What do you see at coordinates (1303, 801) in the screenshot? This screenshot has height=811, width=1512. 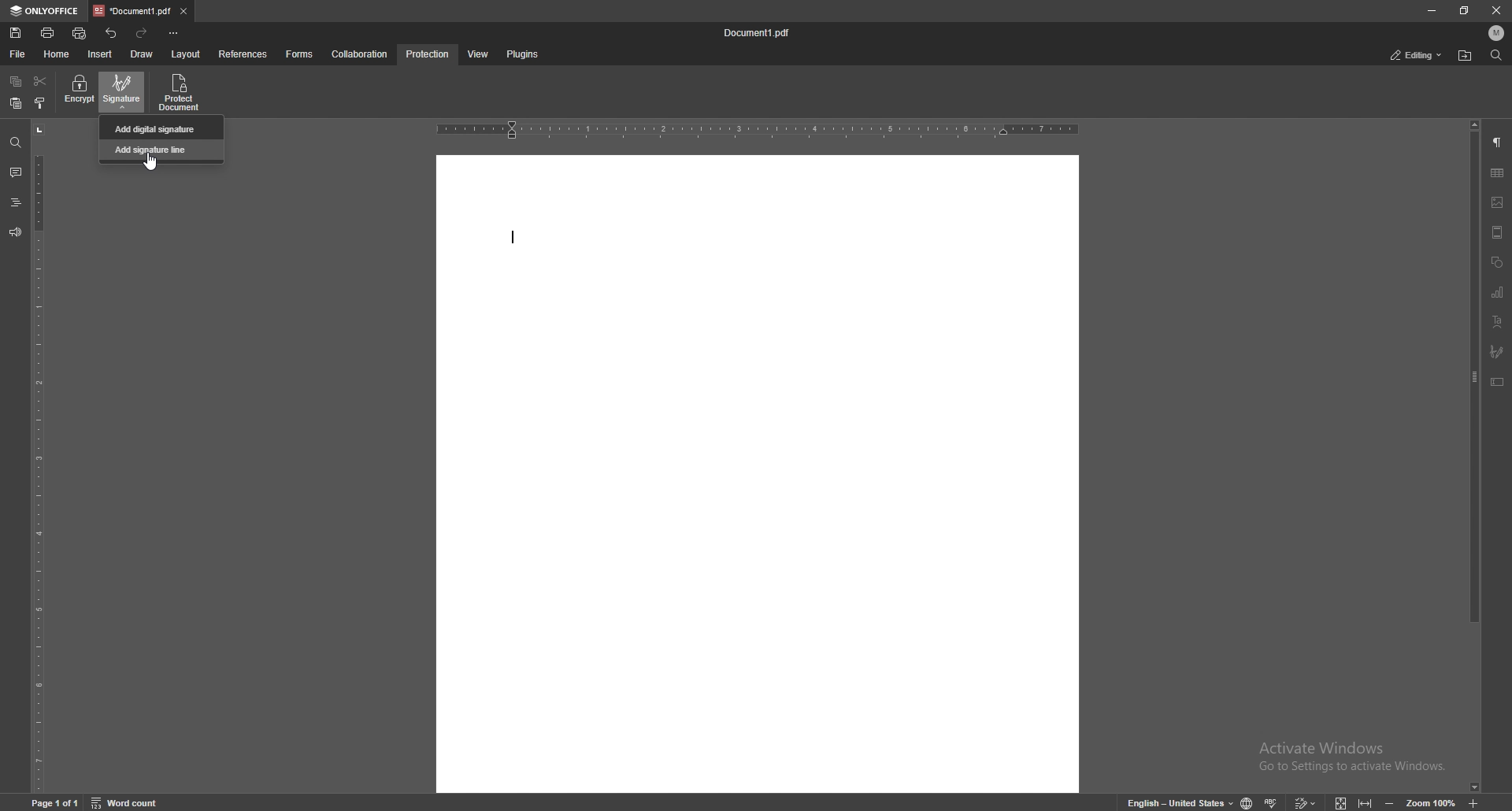 I see `track changes` at bounding box center [1303, 801].